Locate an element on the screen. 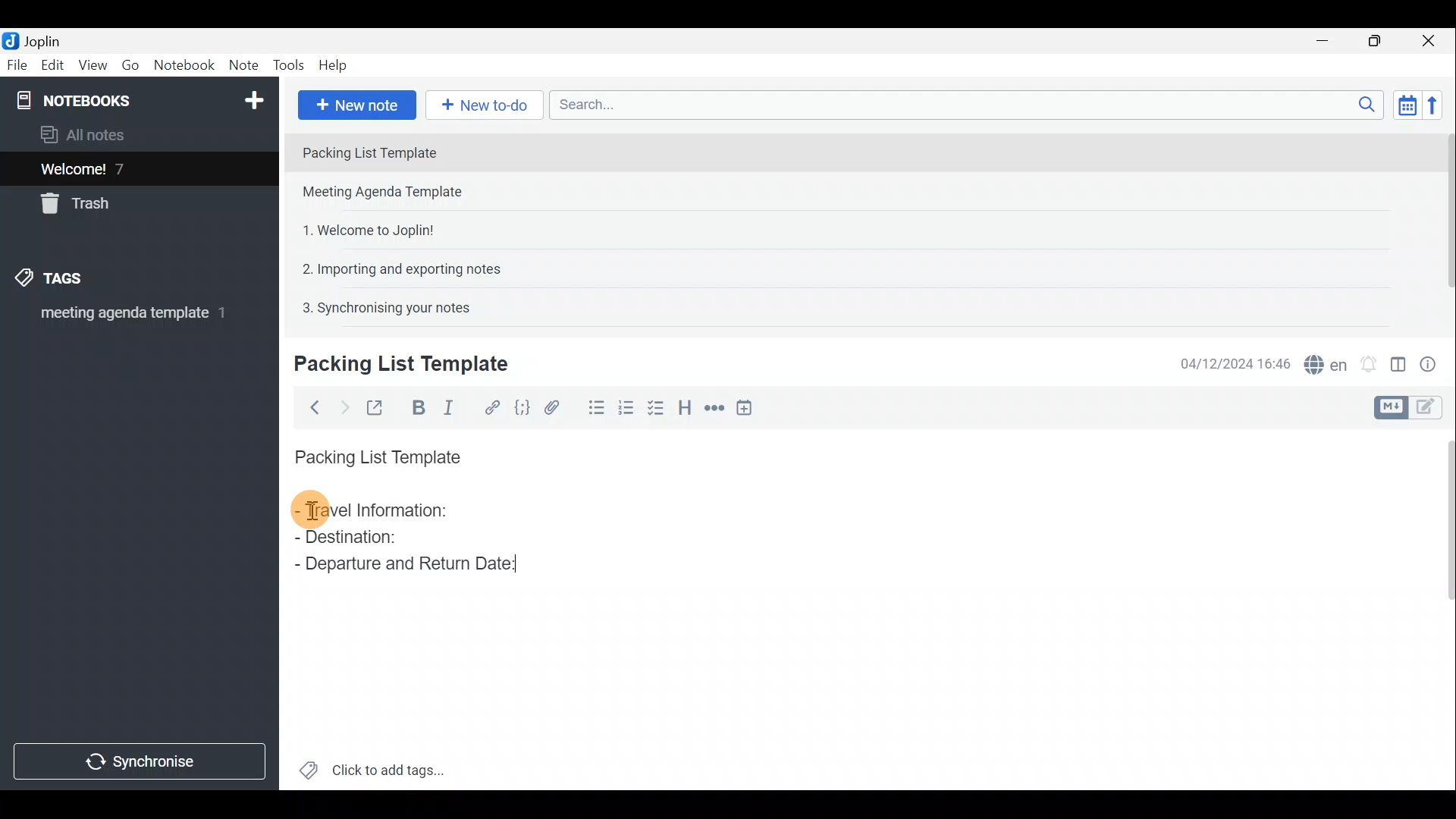 The width and height of the screenshot is (1456, 819). New to-do is located at coordinates (485, 105).